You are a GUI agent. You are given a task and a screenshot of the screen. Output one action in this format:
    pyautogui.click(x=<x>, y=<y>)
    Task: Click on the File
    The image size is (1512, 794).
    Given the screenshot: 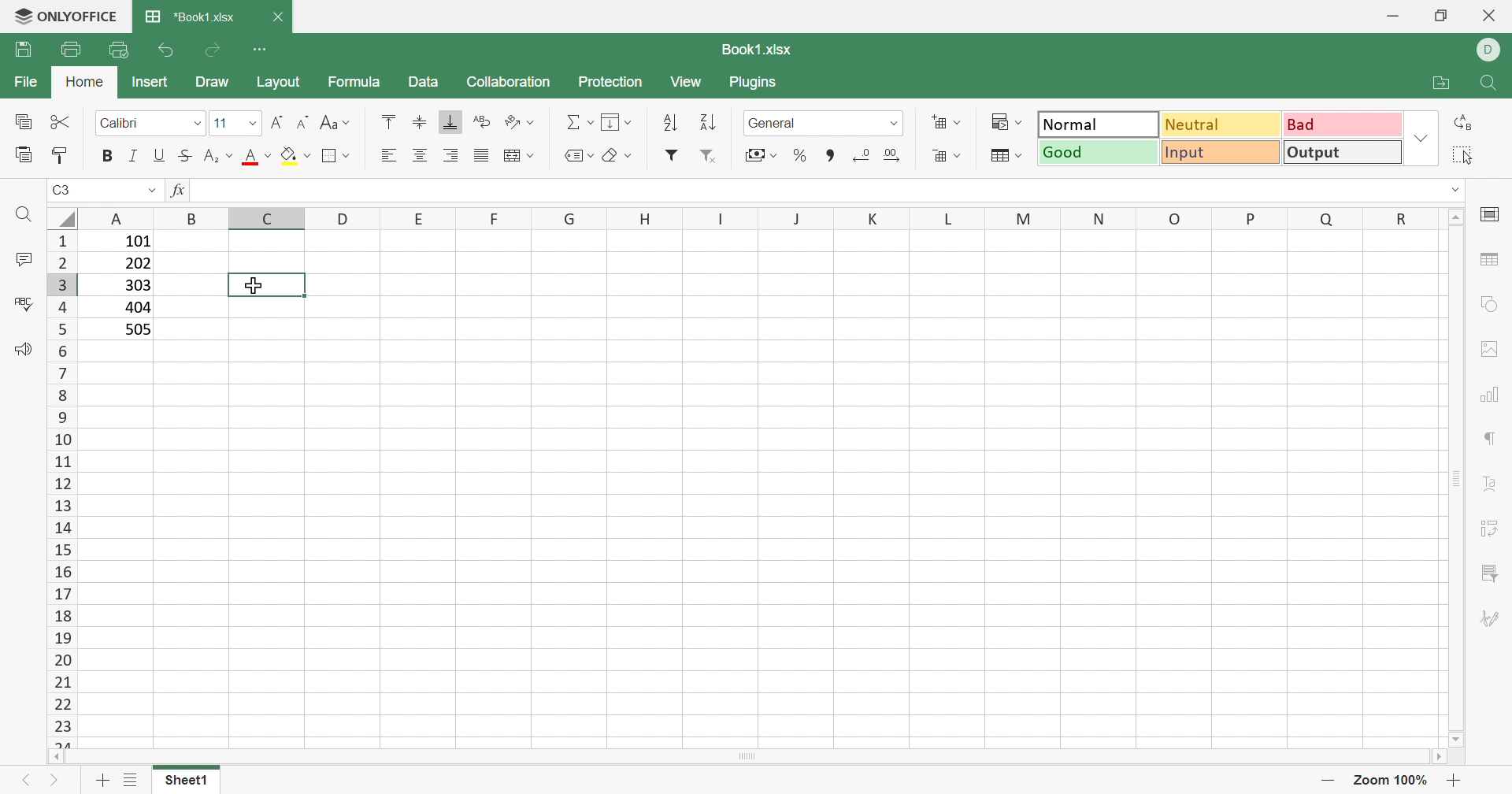 What is the action you would take?
    pyautogui.click(x=25, y=83)
    